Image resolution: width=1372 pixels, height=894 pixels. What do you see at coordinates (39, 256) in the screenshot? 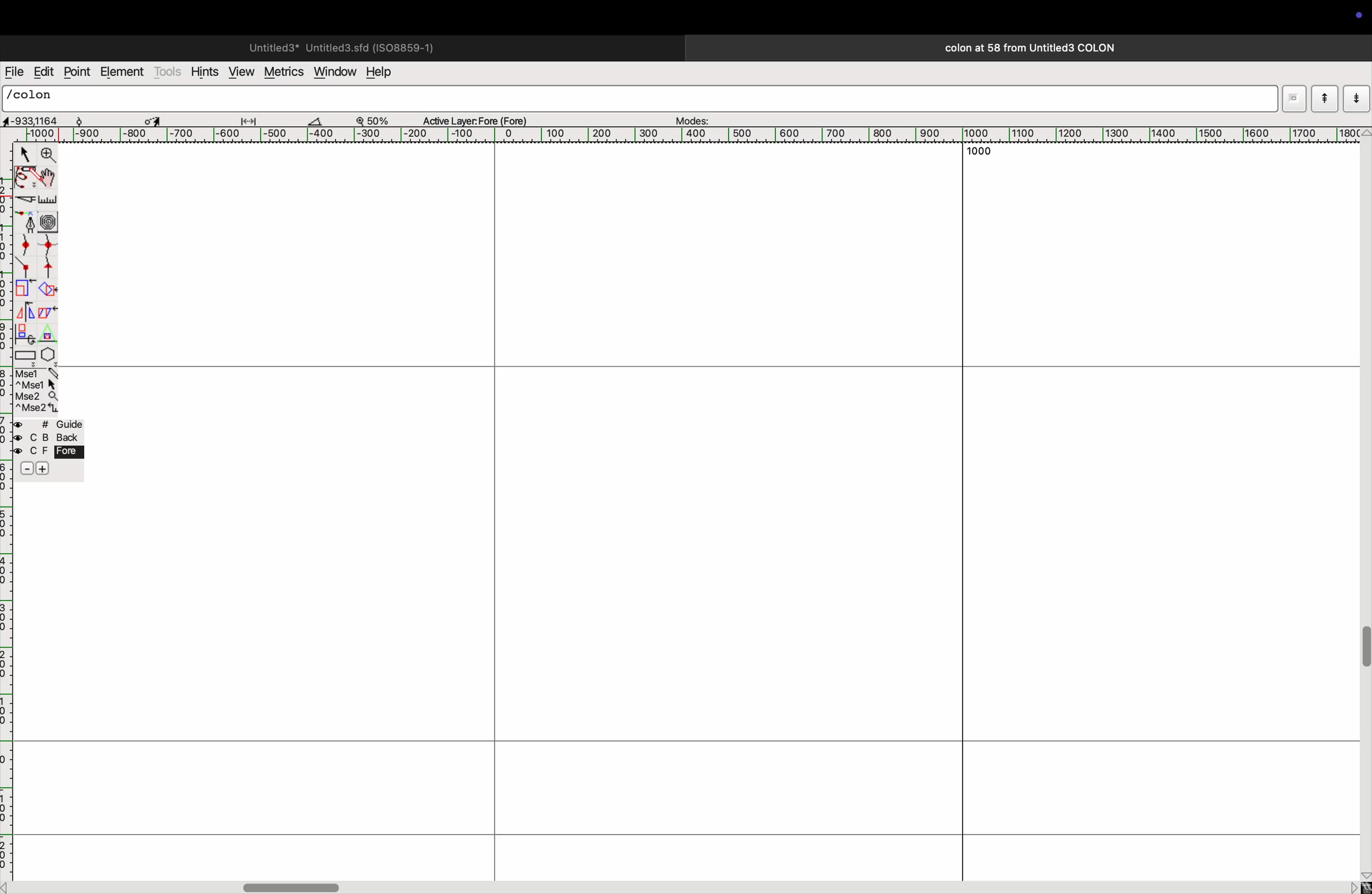
I see `spline` at bounding box center [39, 256].